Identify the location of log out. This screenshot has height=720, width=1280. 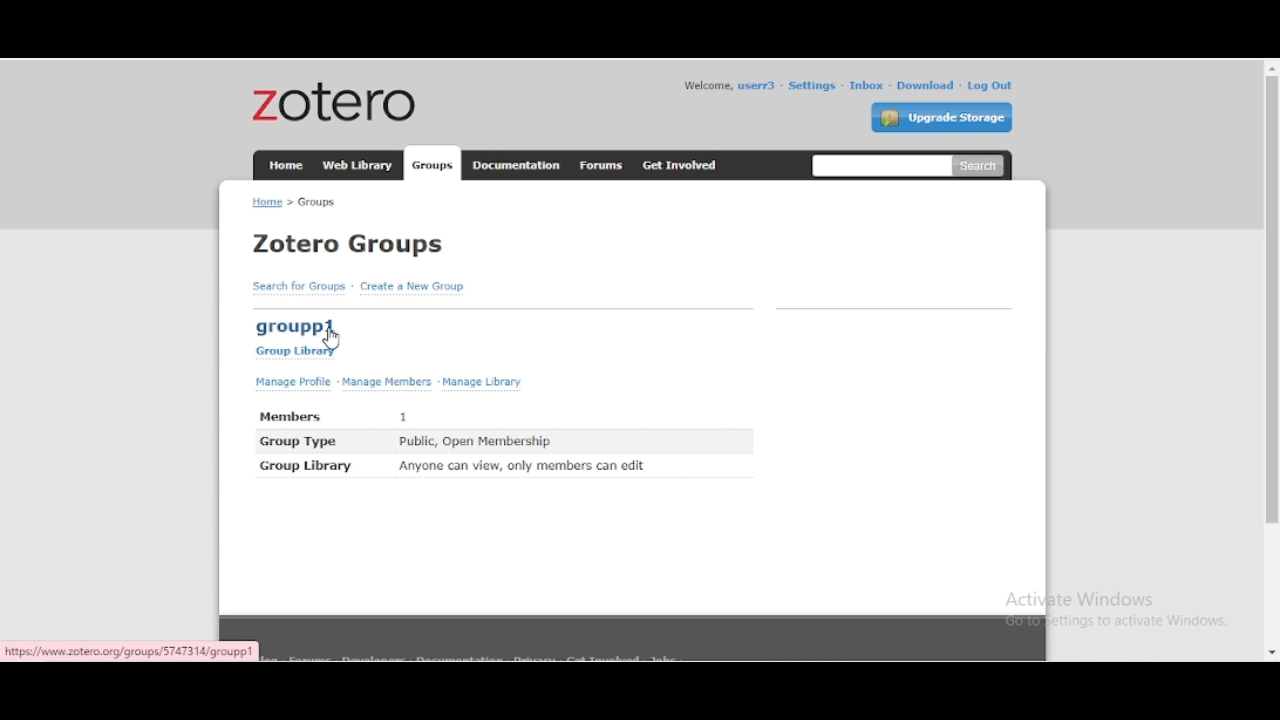
(990, 85).